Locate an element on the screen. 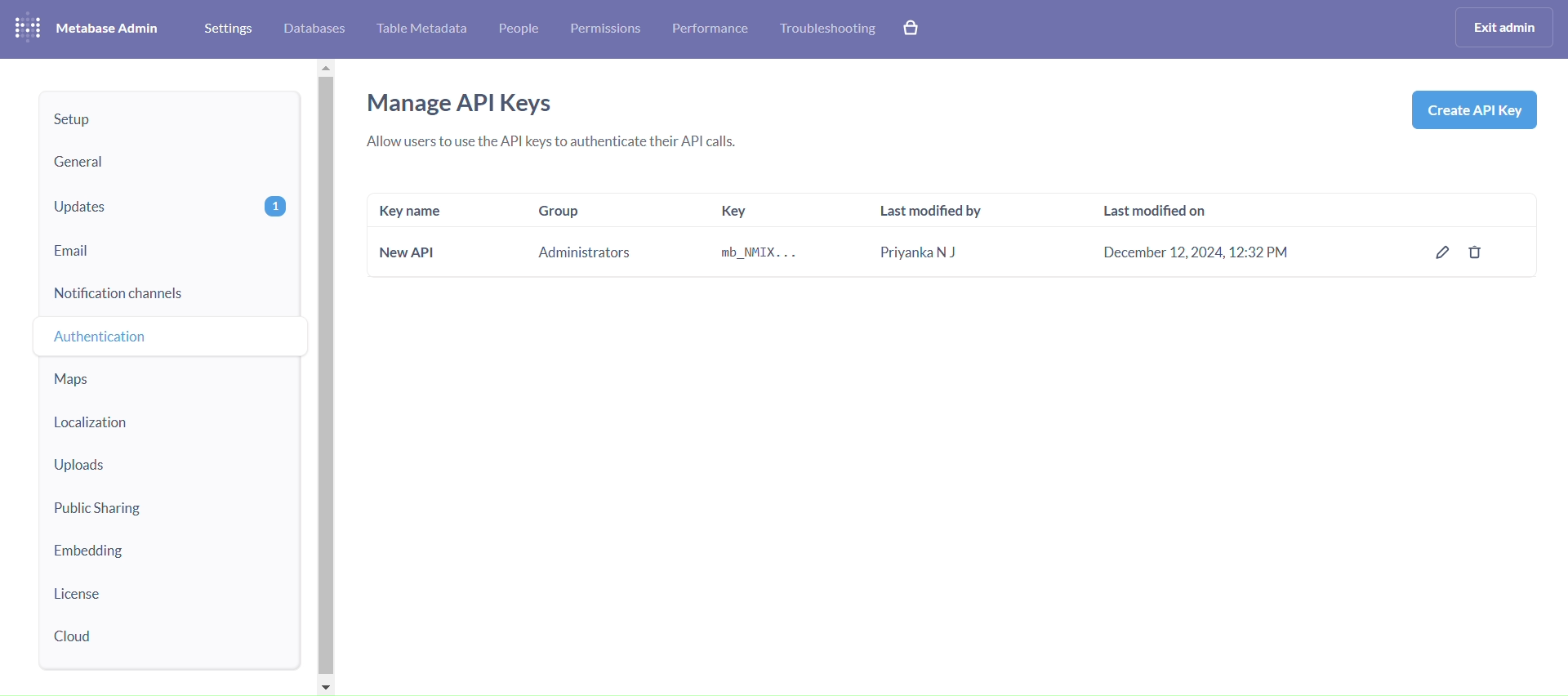 Image resolution: width=1568 pixels, height=696 pixels. edit is located at coordinates (1441, 252).